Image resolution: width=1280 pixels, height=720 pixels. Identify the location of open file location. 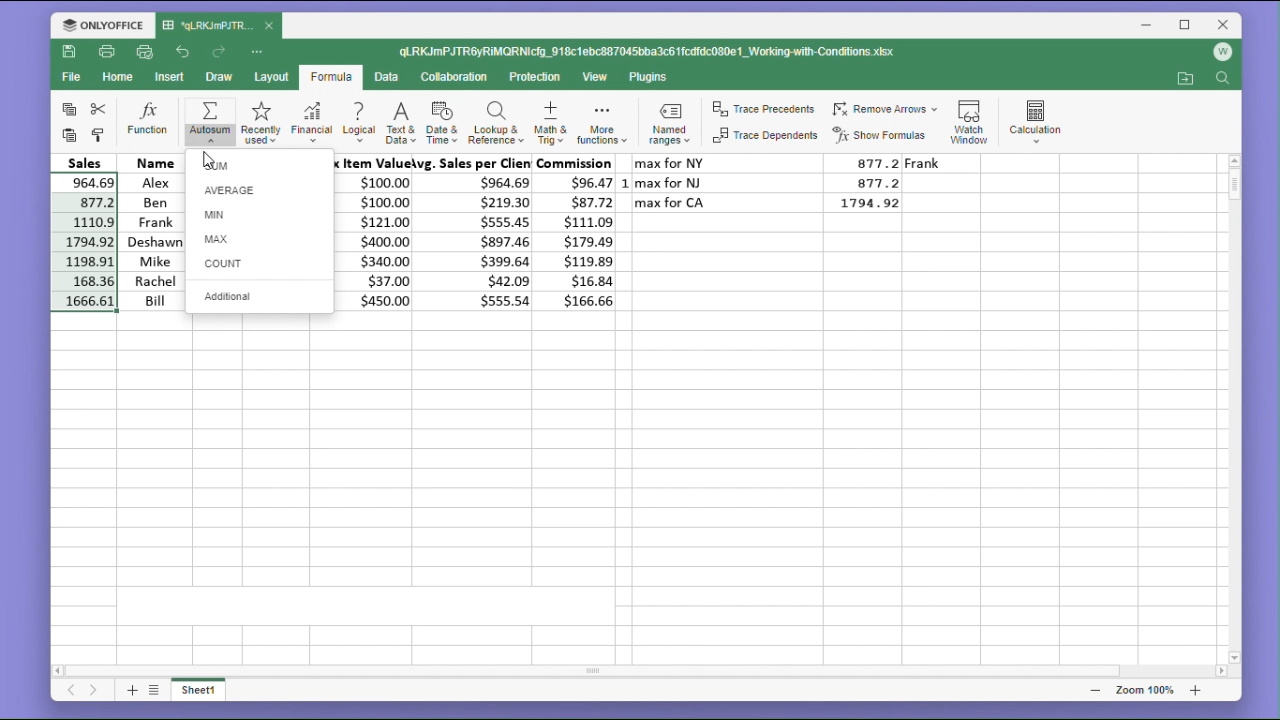
(1185, 79).